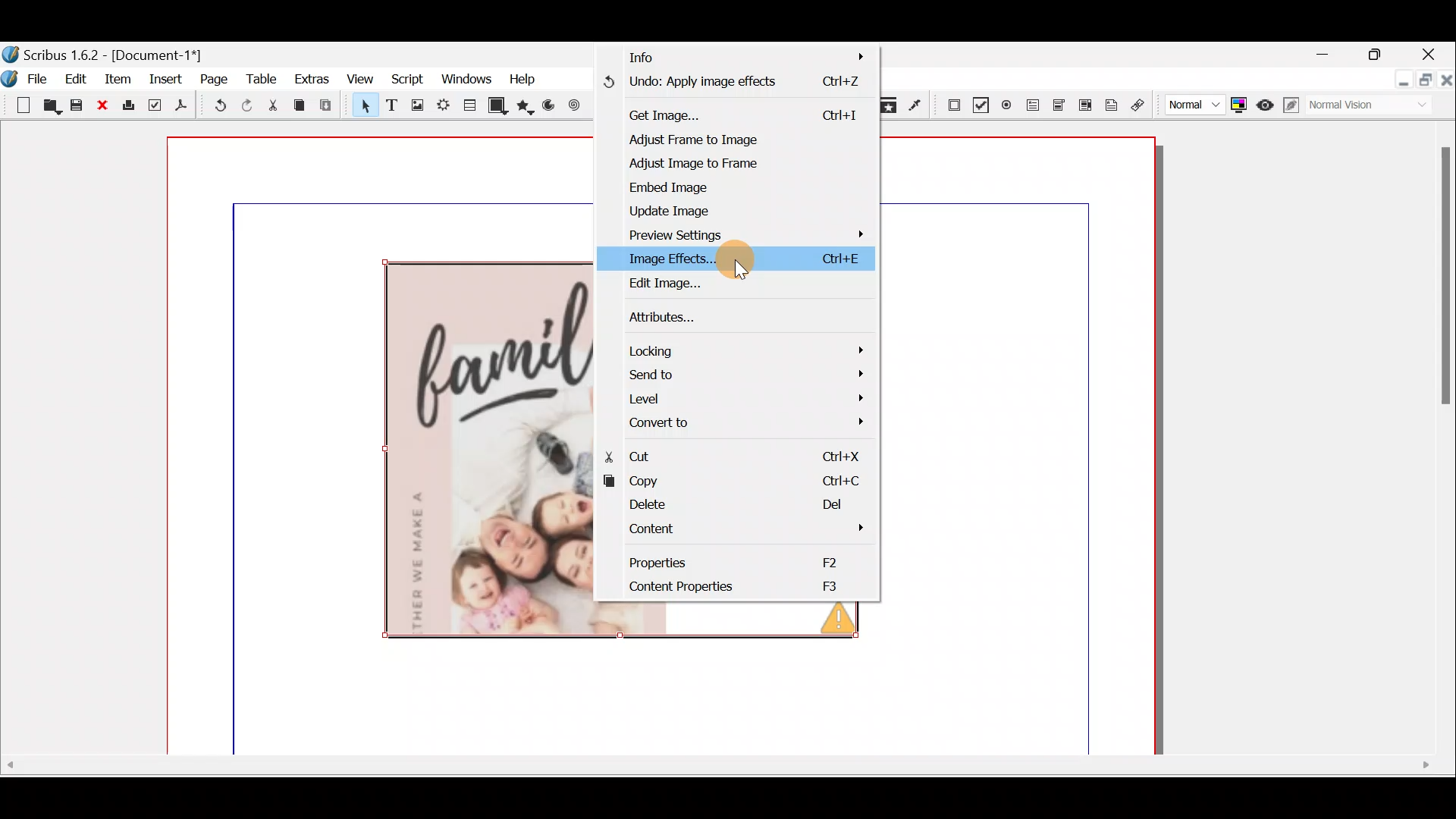  I want to click on Locking, so click(752, 349).